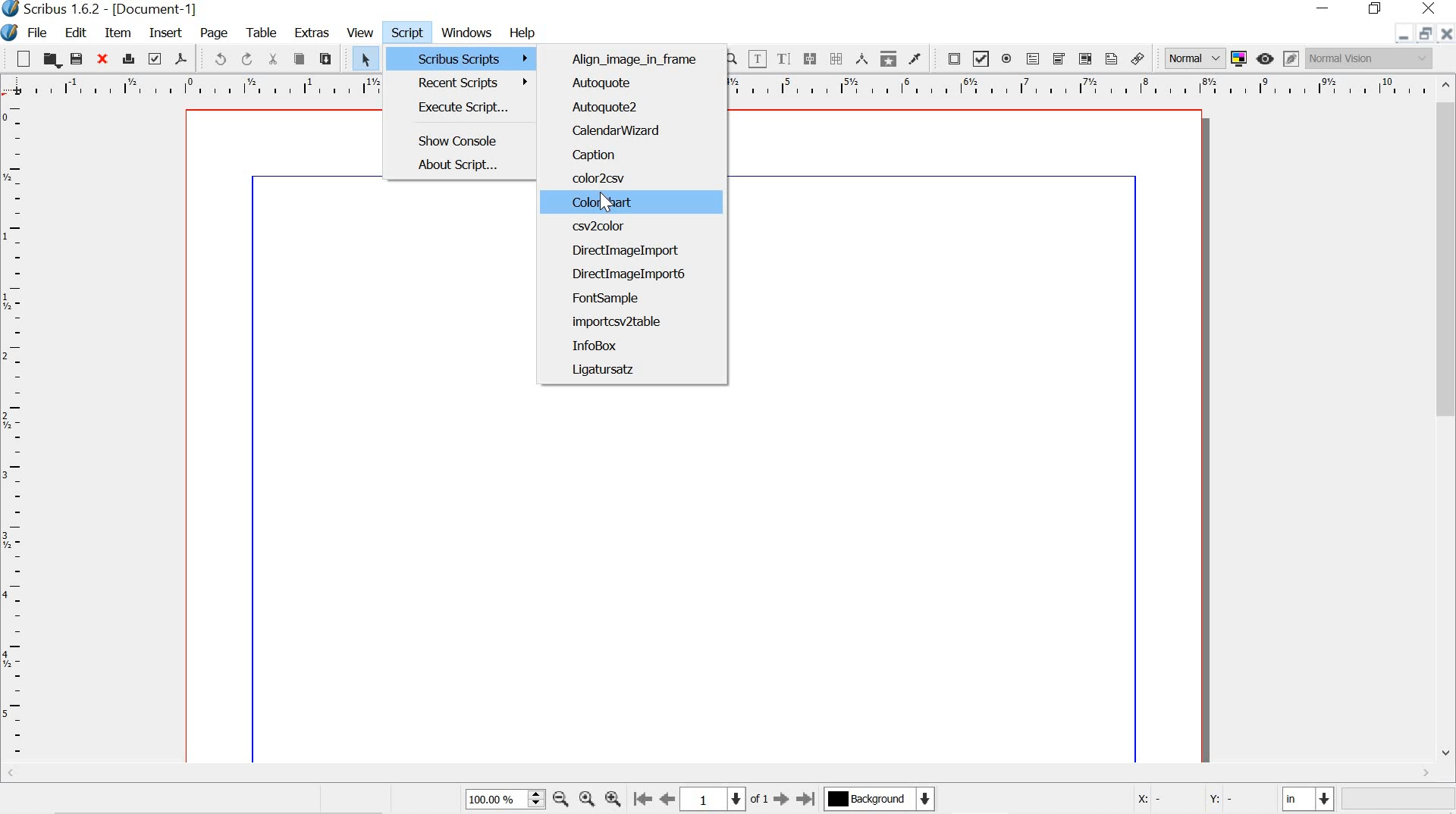  What do you see at coordinates (1447, 419) in the screenshot?
I see `scrollbar` at bounding box center [1447, 419].